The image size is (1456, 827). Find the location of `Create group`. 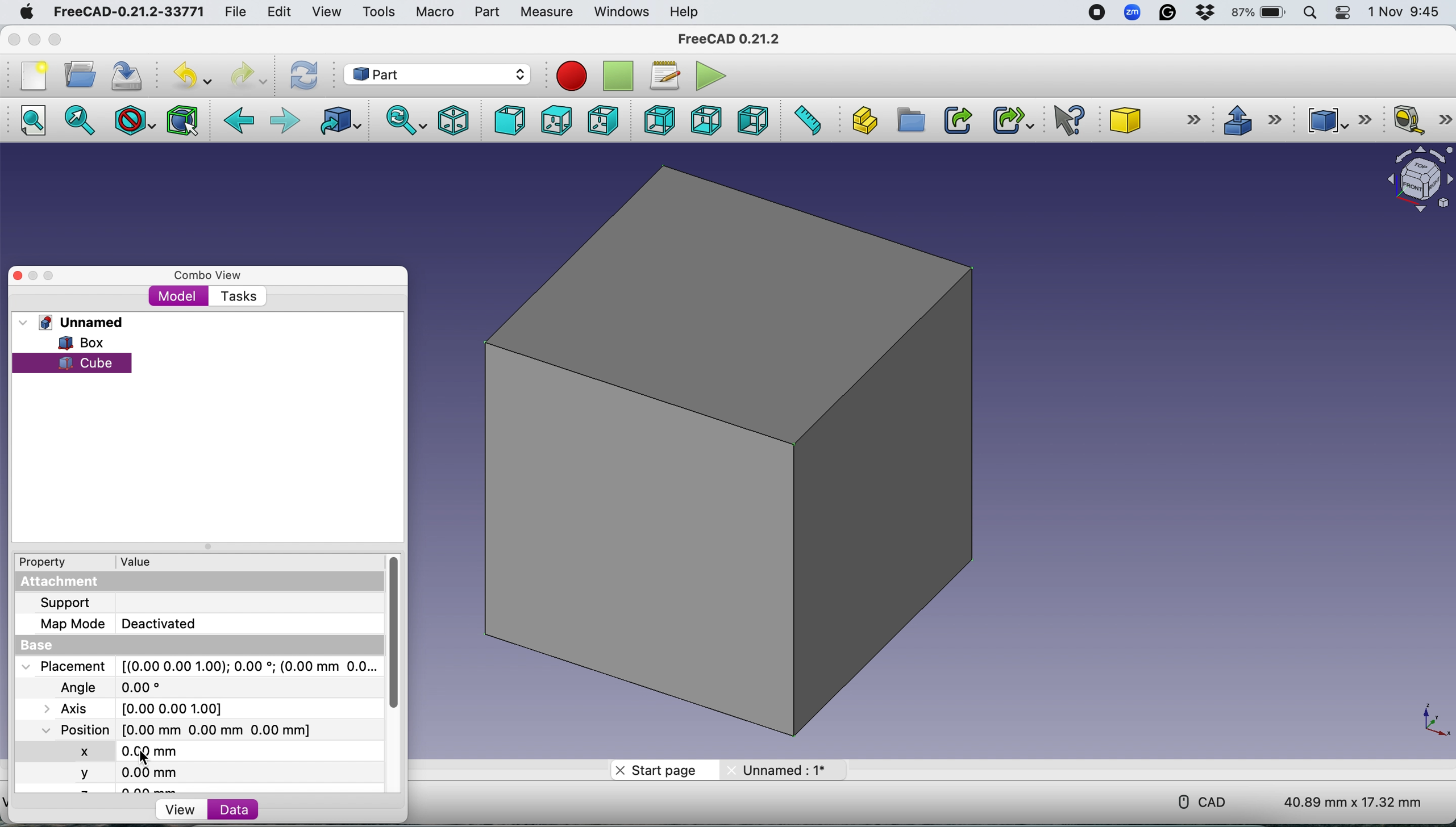

Create group is located at coordinates (909, 120).